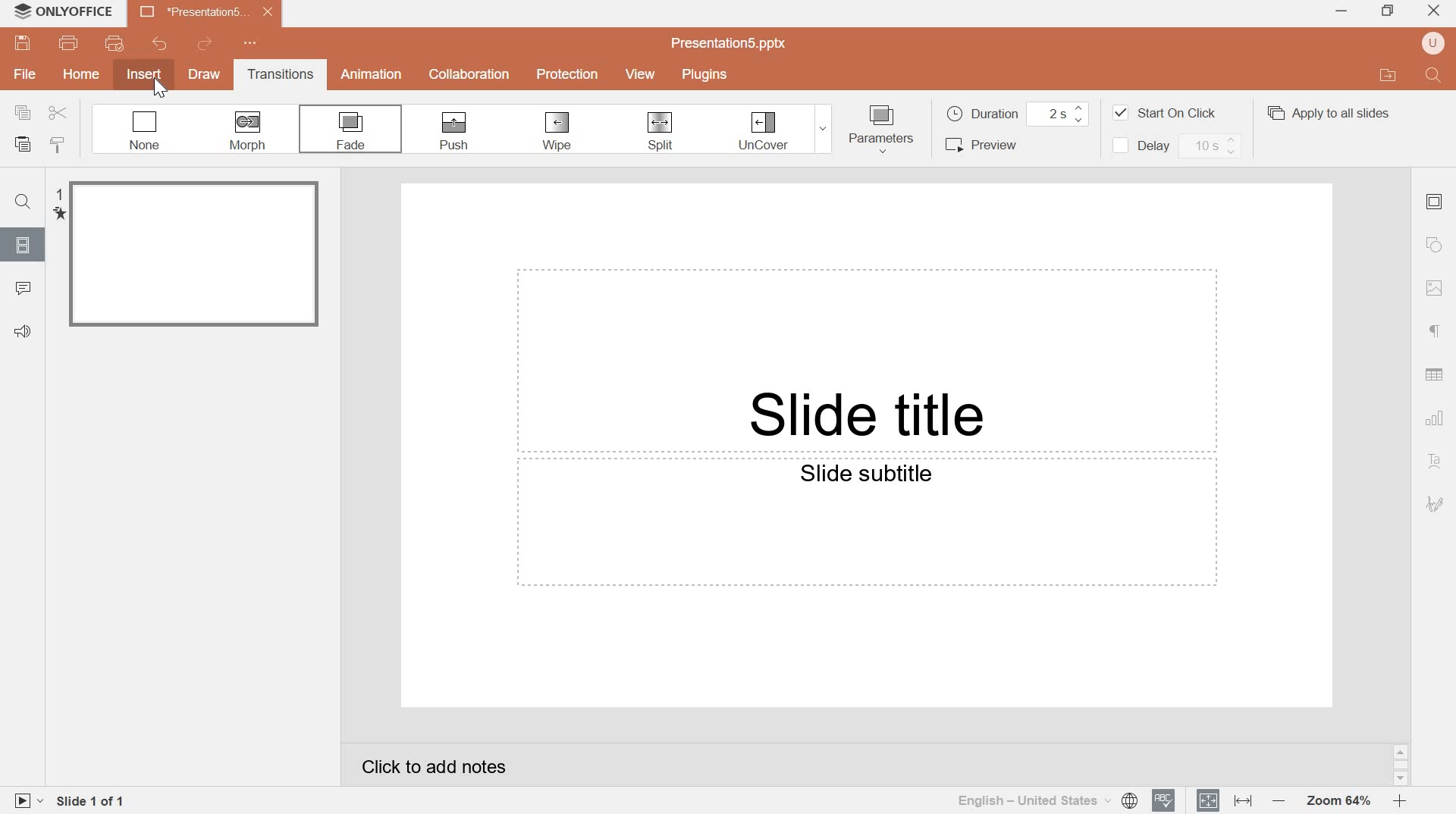 The image size is (1456, 814). Describe the element at coordinates (352, 129) in the screenshot. I see `Fade` at that location.